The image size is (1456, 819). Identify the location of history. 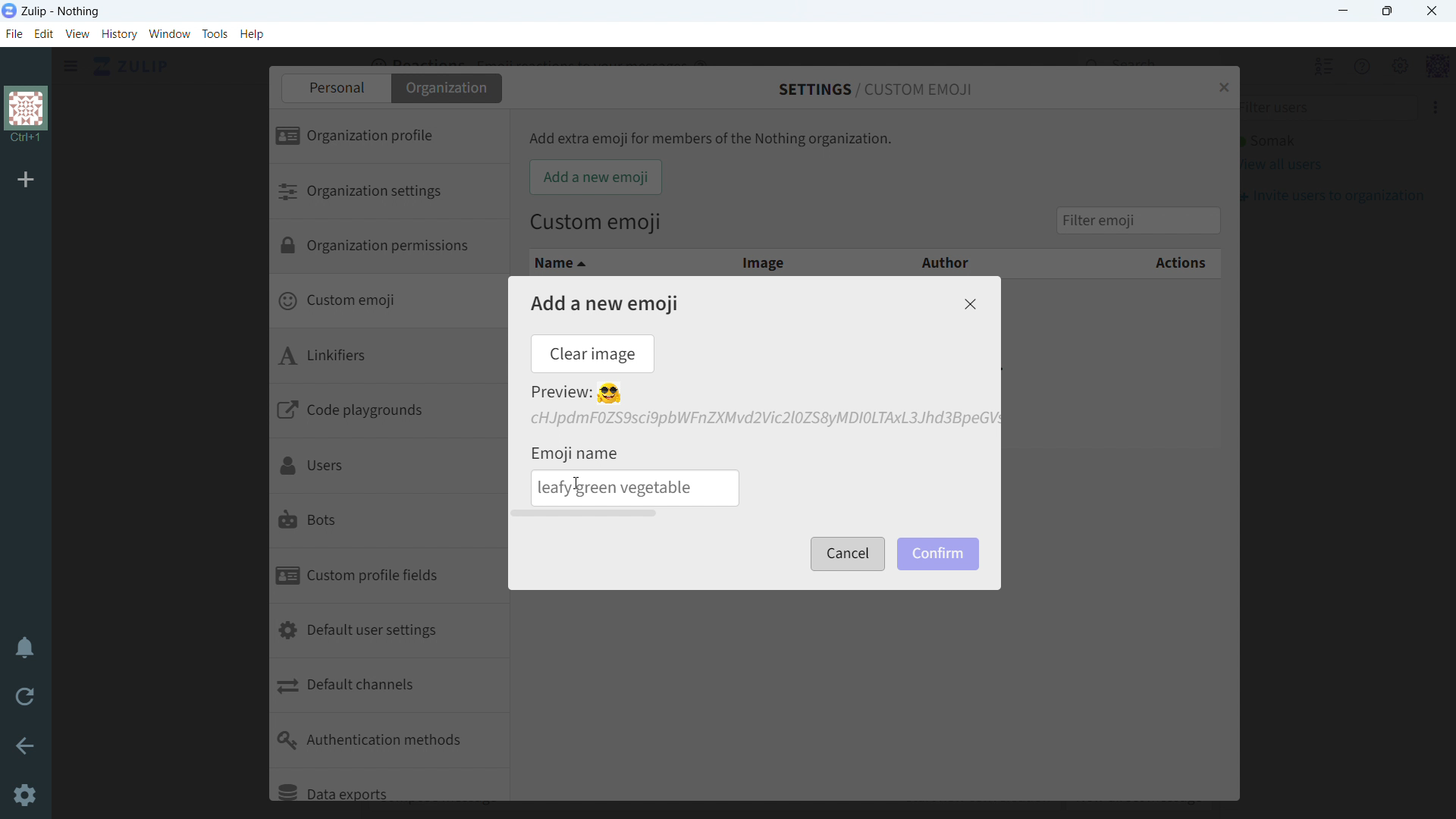
(119, 34).